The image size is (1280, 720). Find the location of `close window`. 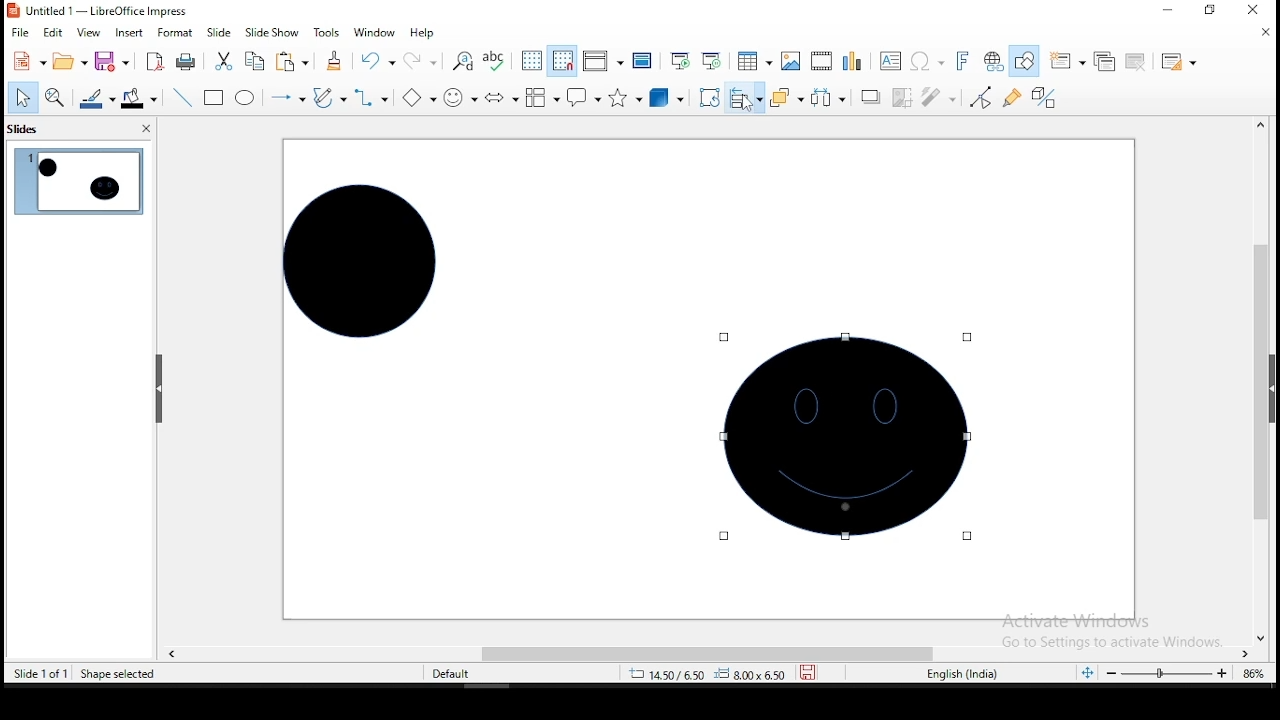

close window is located at coordinates (1260, 11).